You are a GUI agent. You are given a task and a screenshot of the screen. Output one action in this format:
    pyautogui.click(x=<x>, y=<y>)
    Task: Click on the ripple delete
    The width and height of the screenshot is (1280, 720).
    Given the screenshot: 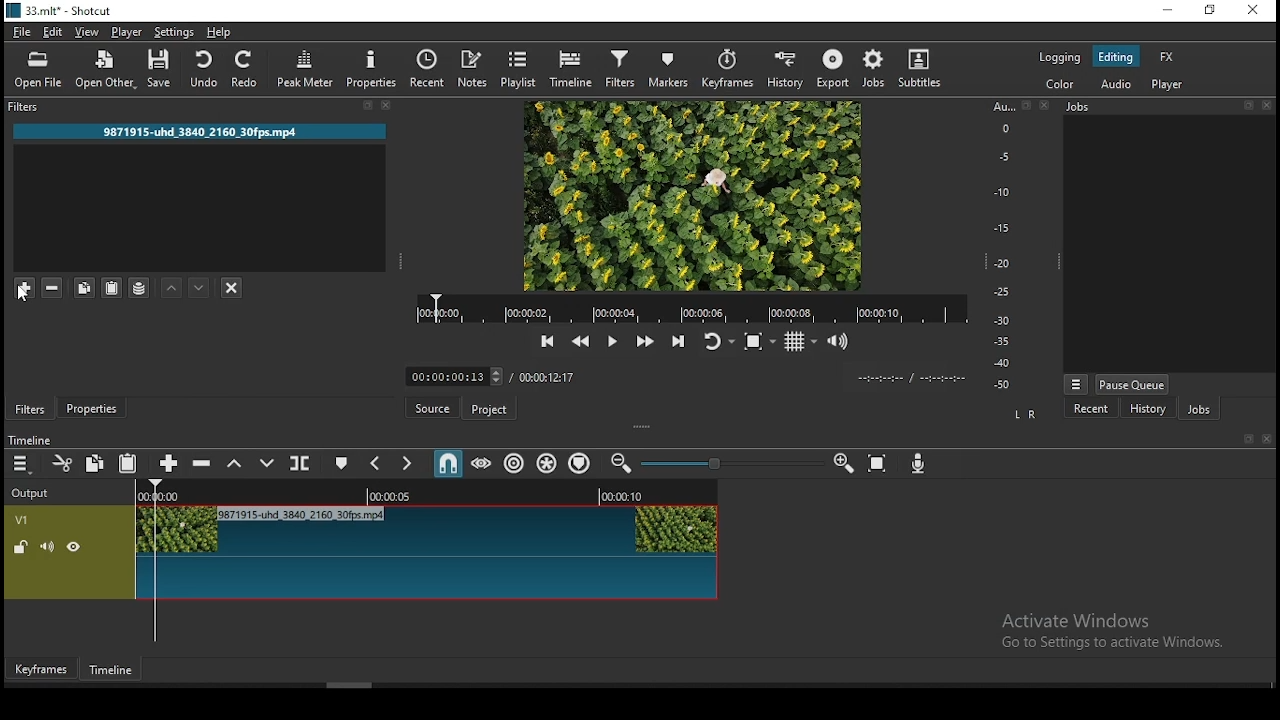 What is the action you would take?
    pyautogui.click(x=203, y=462)
    